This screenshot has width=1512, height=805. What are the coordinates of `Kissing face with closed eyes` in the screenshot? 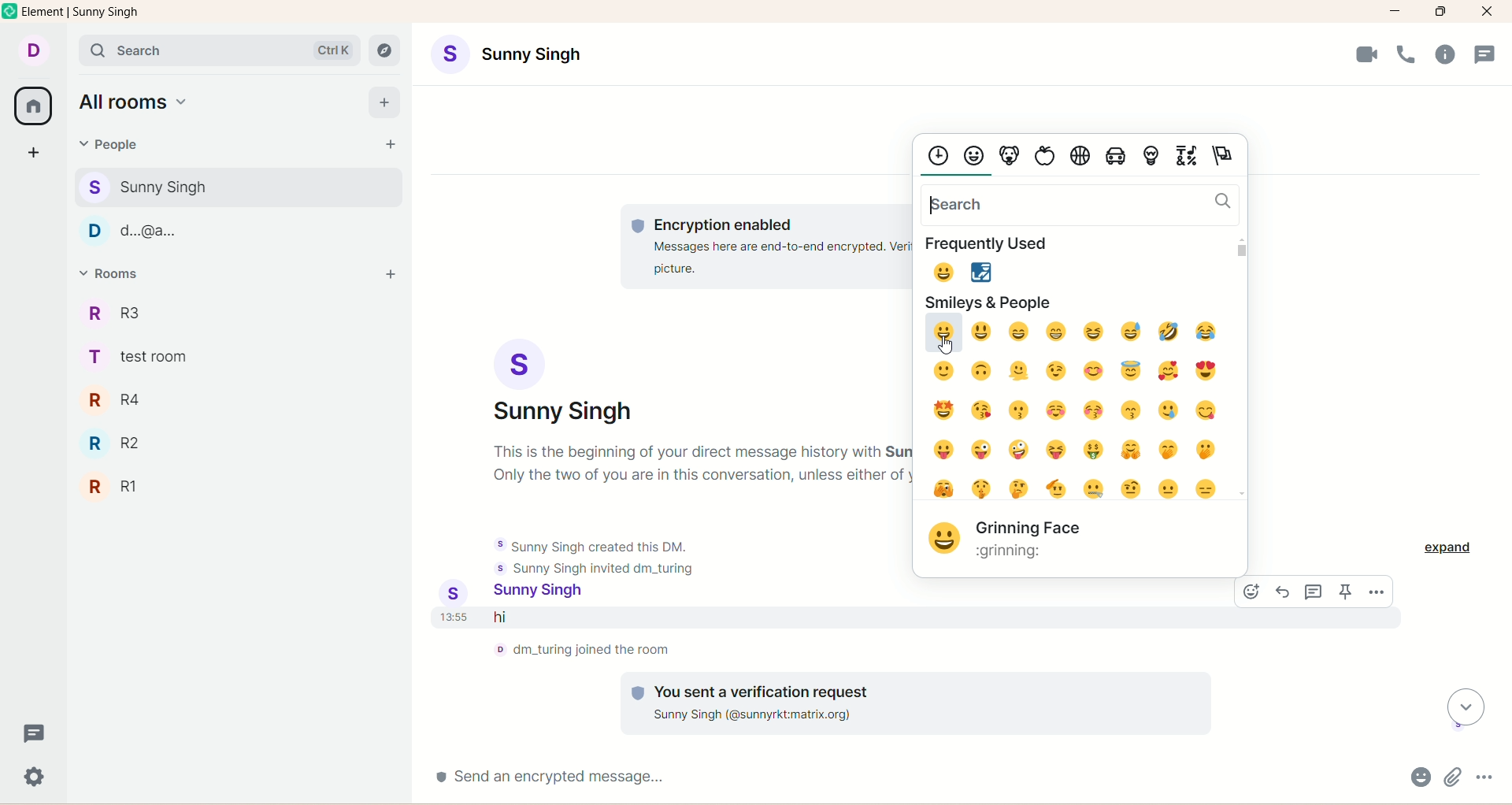 It's located at (1093, 410).